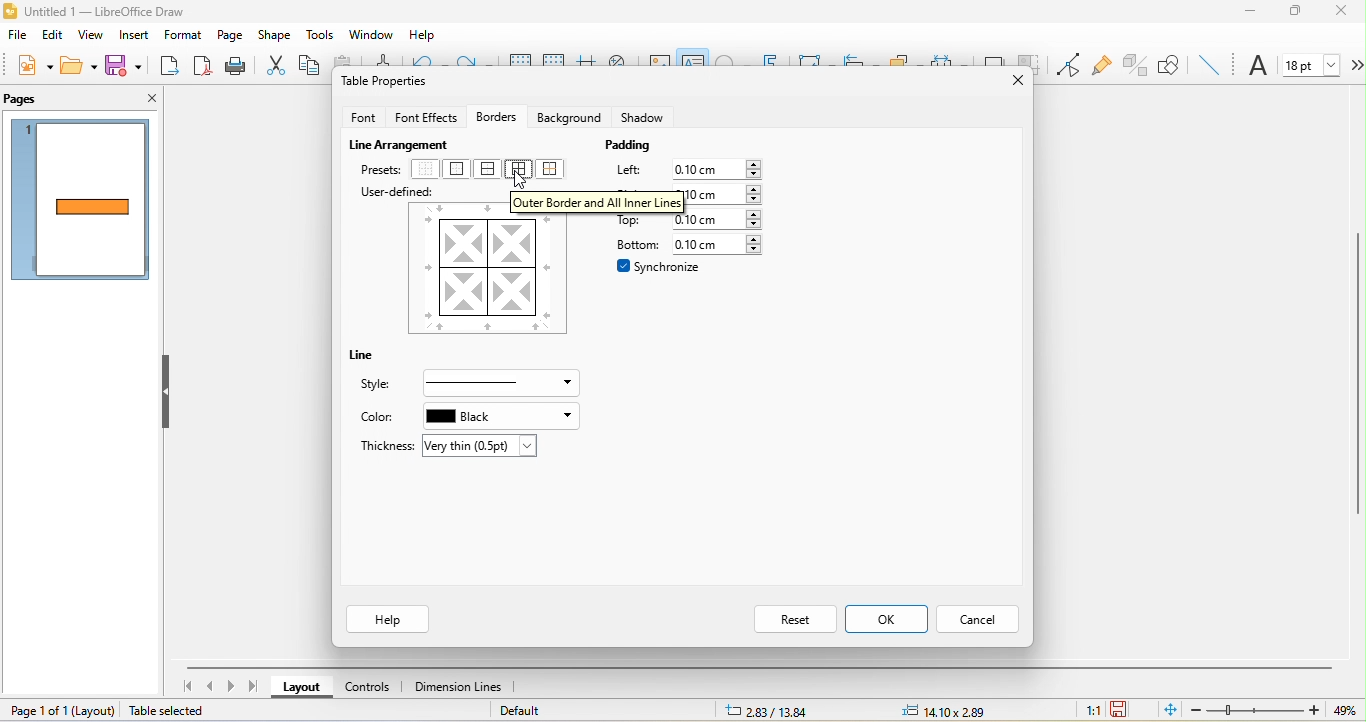 This screenshot has height=722, width=1366. I want to click on 49%, so click(1343, 711).